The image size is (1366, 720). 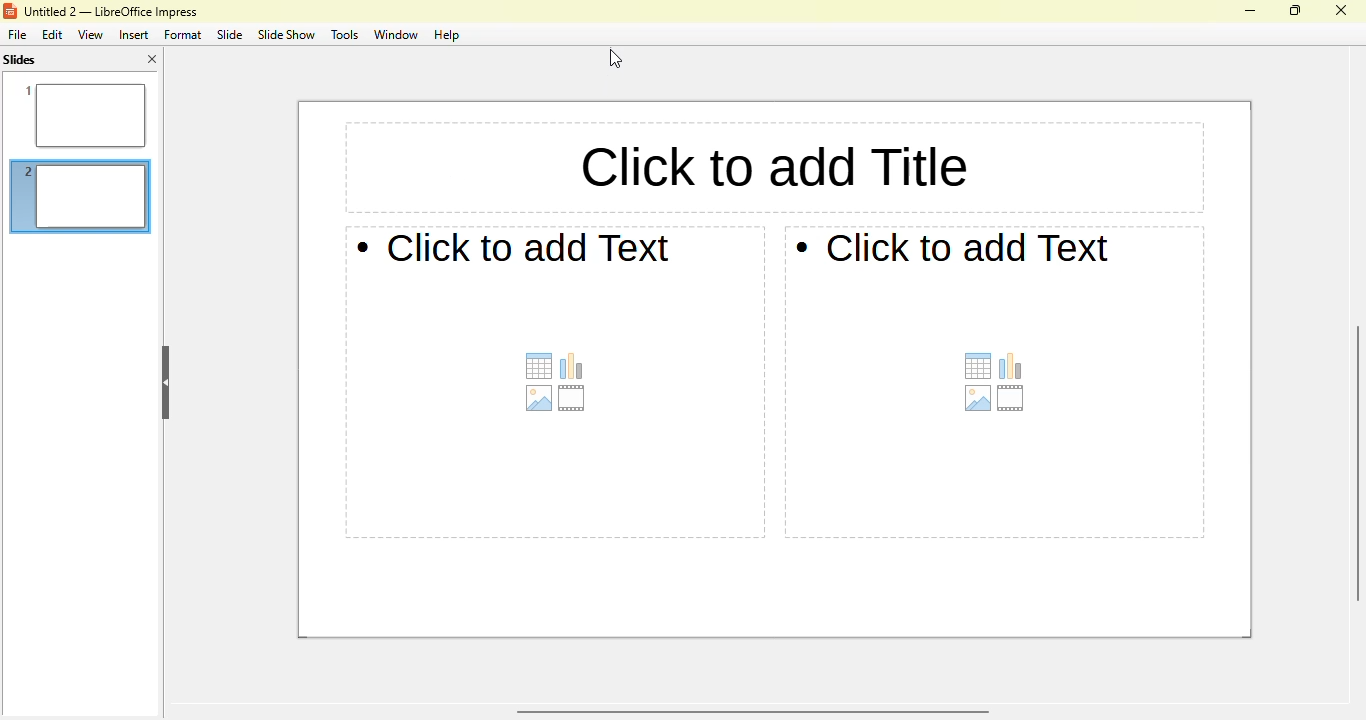 What do you see at coordinates (53, 35) in the screenshot?
I see `edit` at bounding box center [53, 35].